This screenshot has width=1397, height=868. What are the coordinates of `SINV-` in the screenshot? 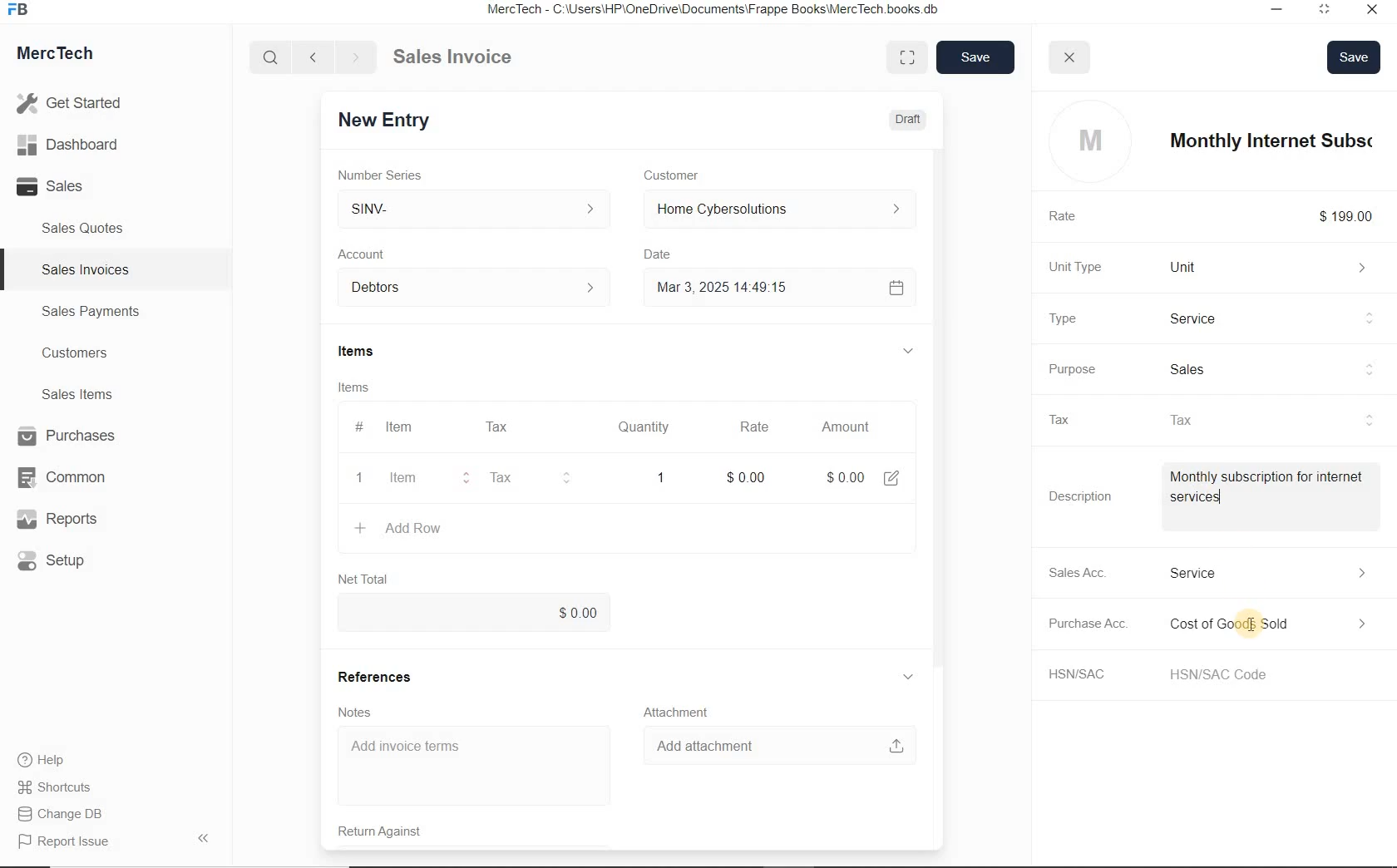 It's located at (474, 209).